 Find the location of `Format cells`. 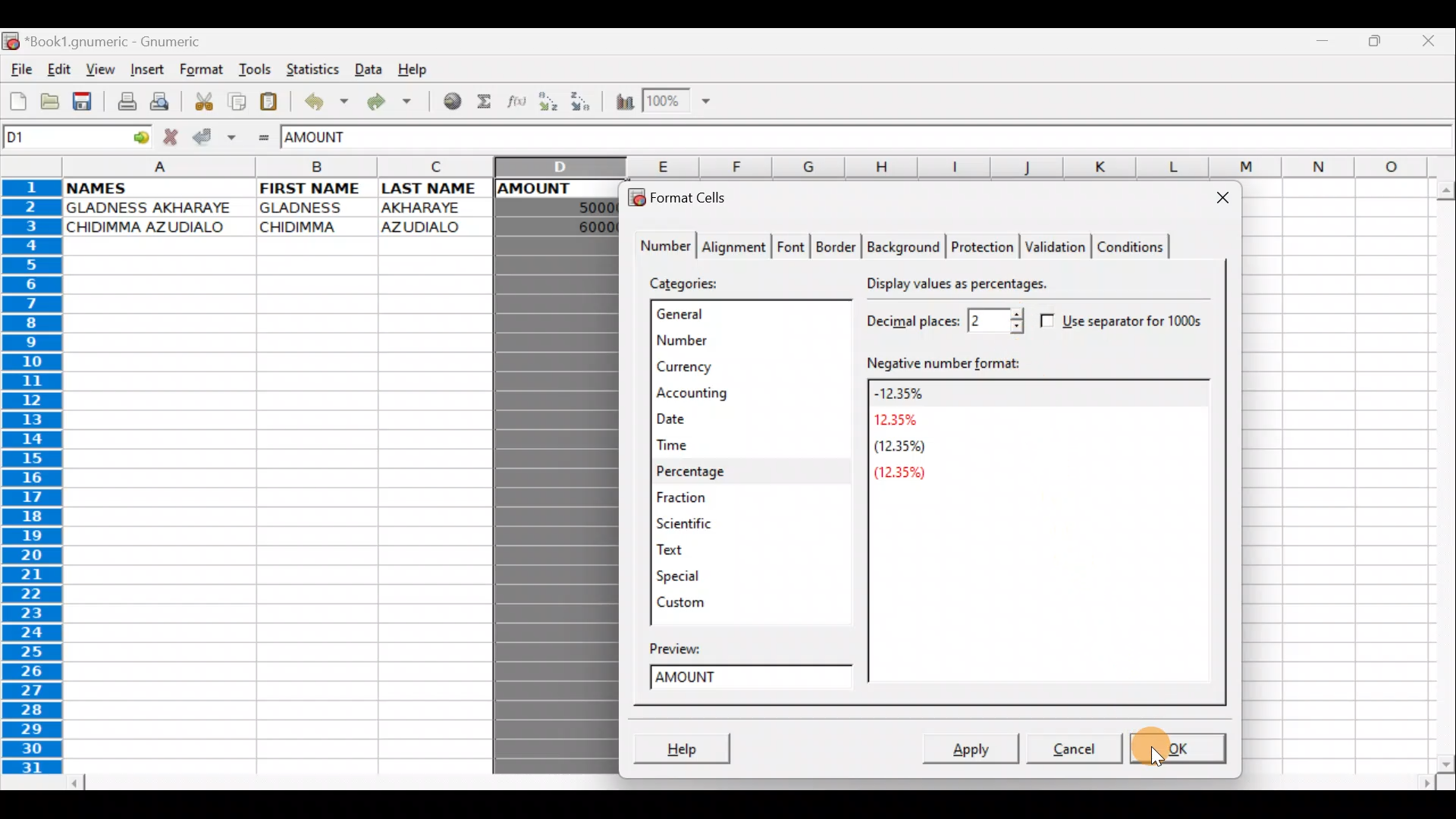

Format cells is located at coordinates (686, 196).